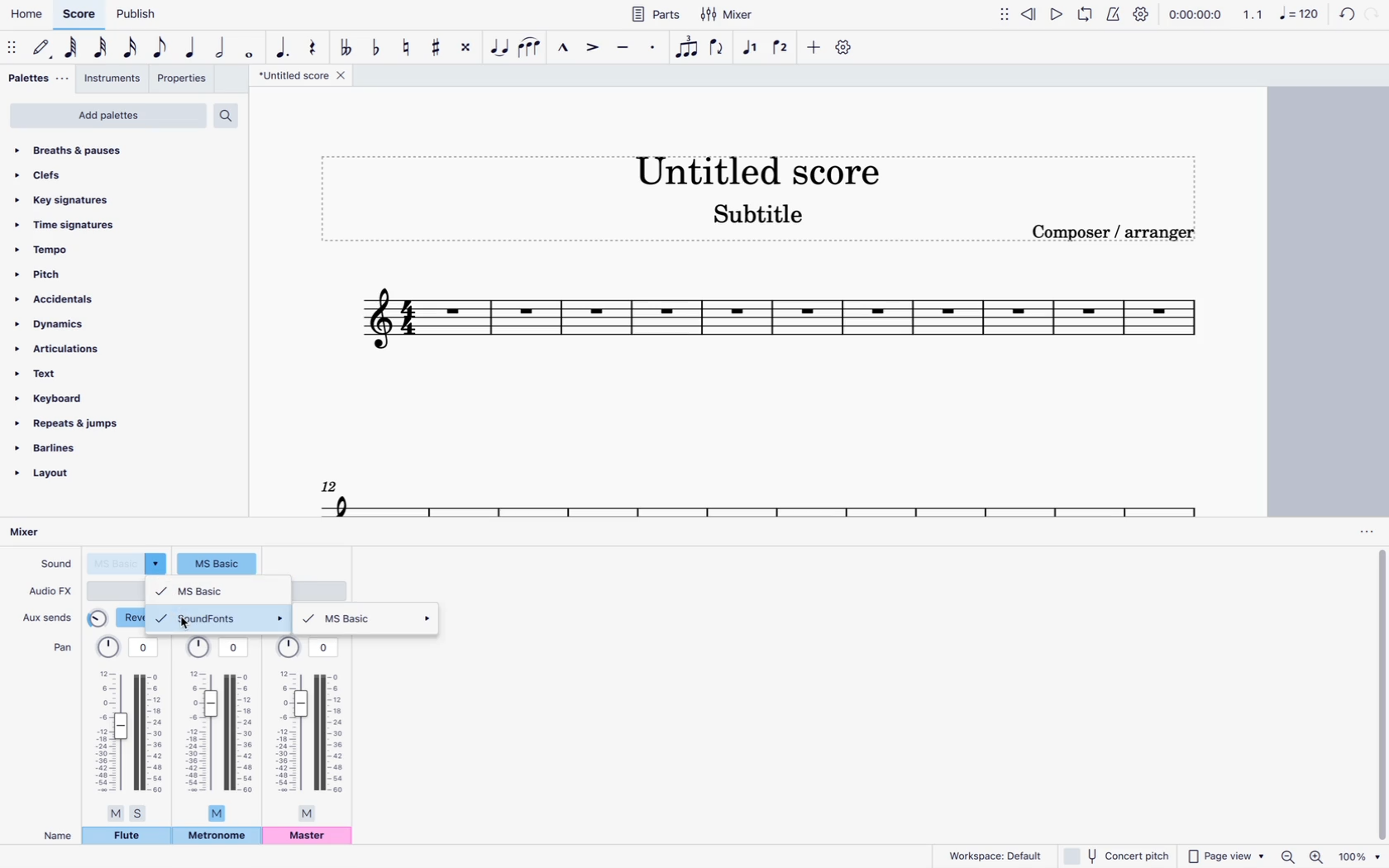 This screenshot has width=1389, height=868. I want to click on repeats & jumps, so click(79, 425).